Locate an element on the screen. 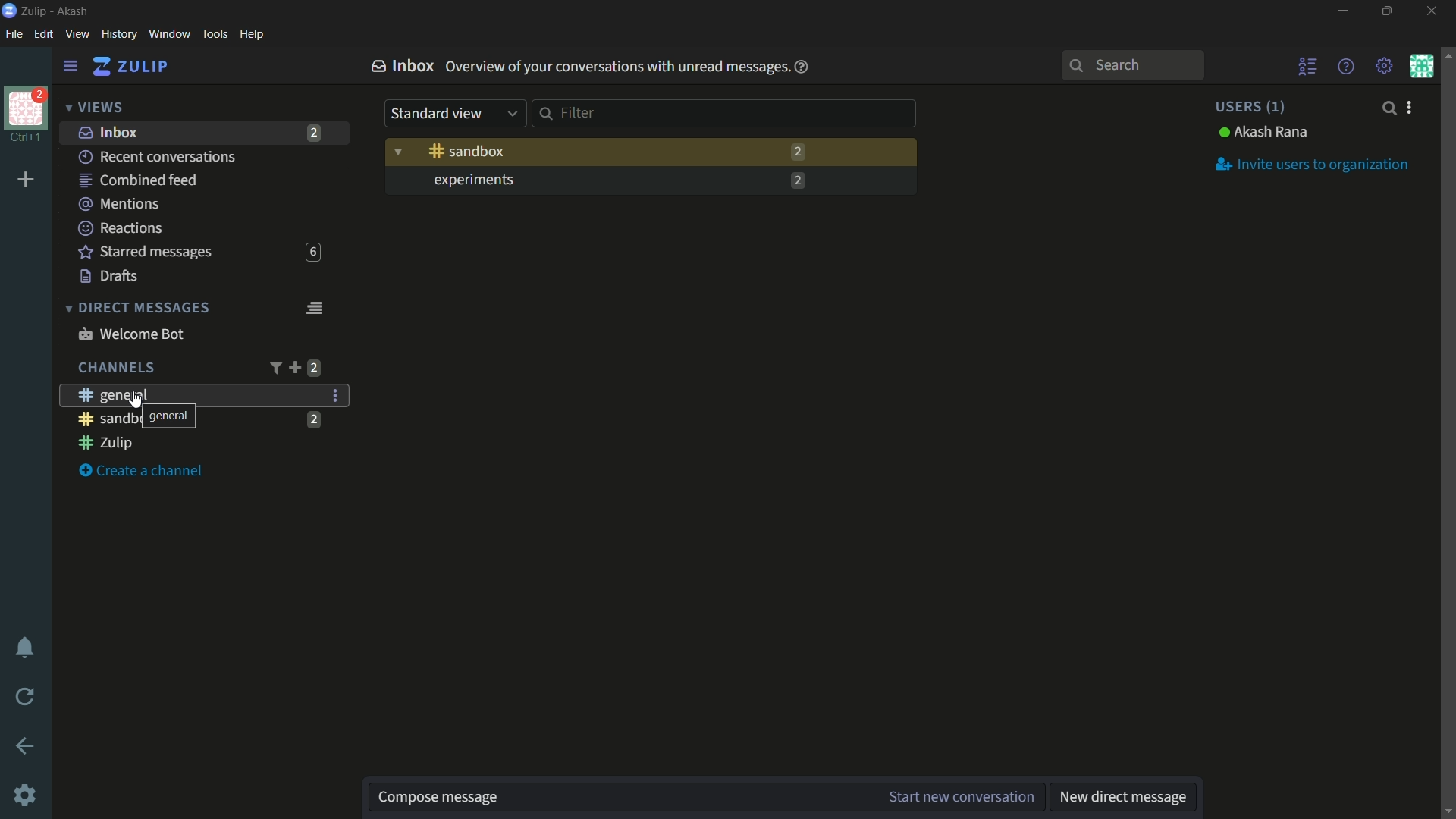  minimize is located at coordinates (1342, 11).